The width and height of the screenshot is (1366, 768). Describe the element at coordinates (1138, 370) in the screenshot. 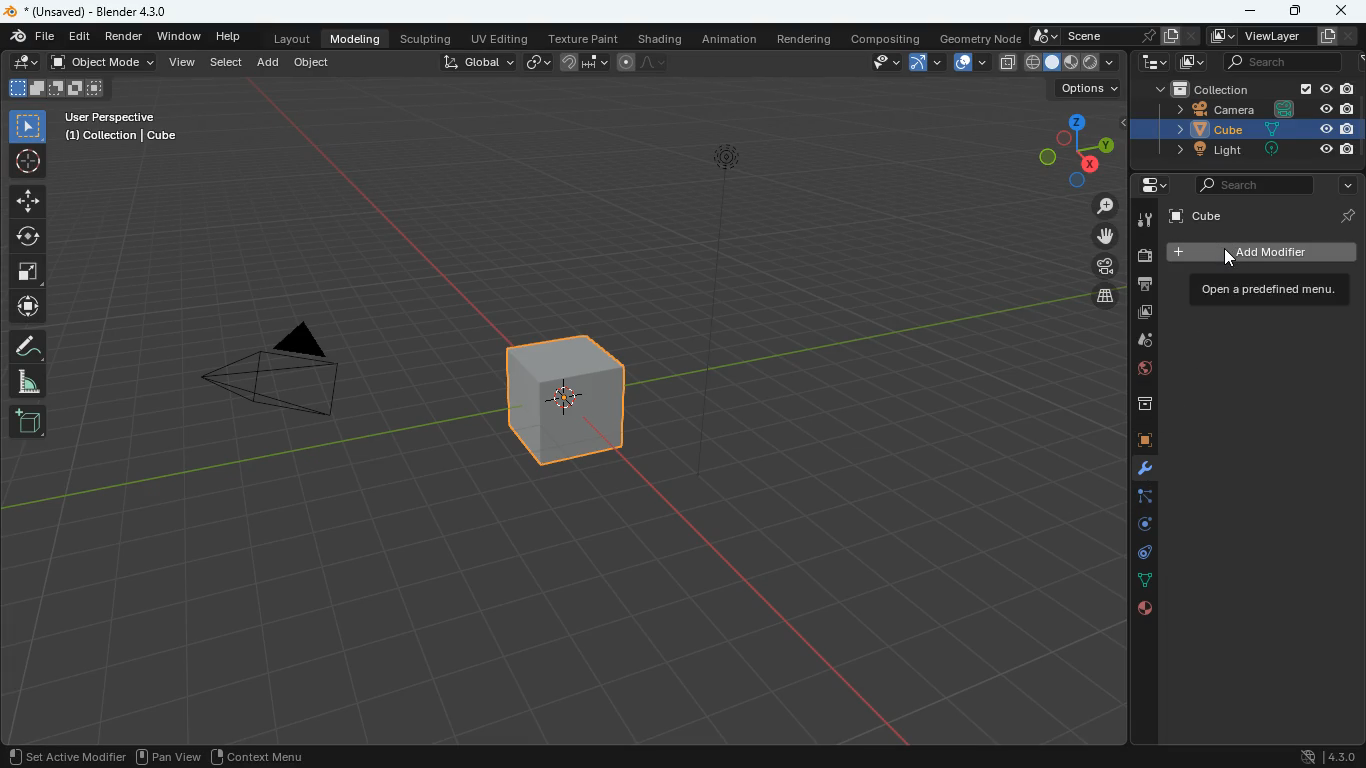

I see `public` at that location.